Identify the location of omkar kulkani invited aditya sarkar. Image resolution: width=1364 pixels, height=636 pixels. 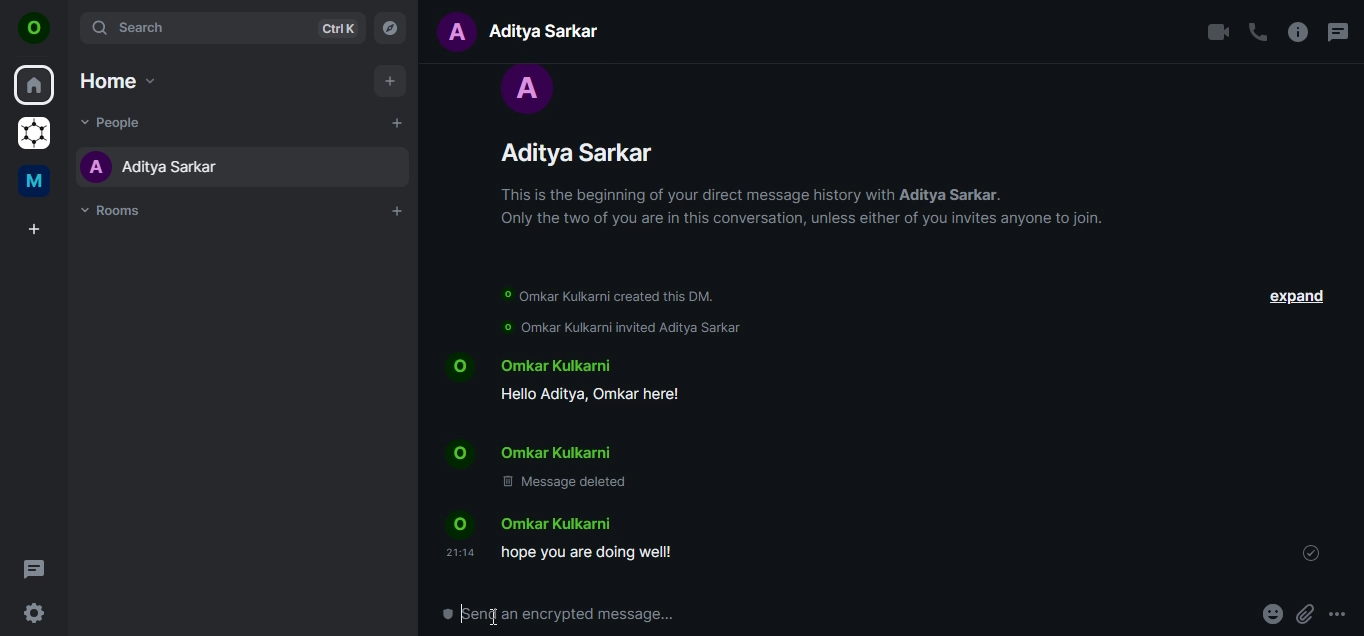
(620, 327).